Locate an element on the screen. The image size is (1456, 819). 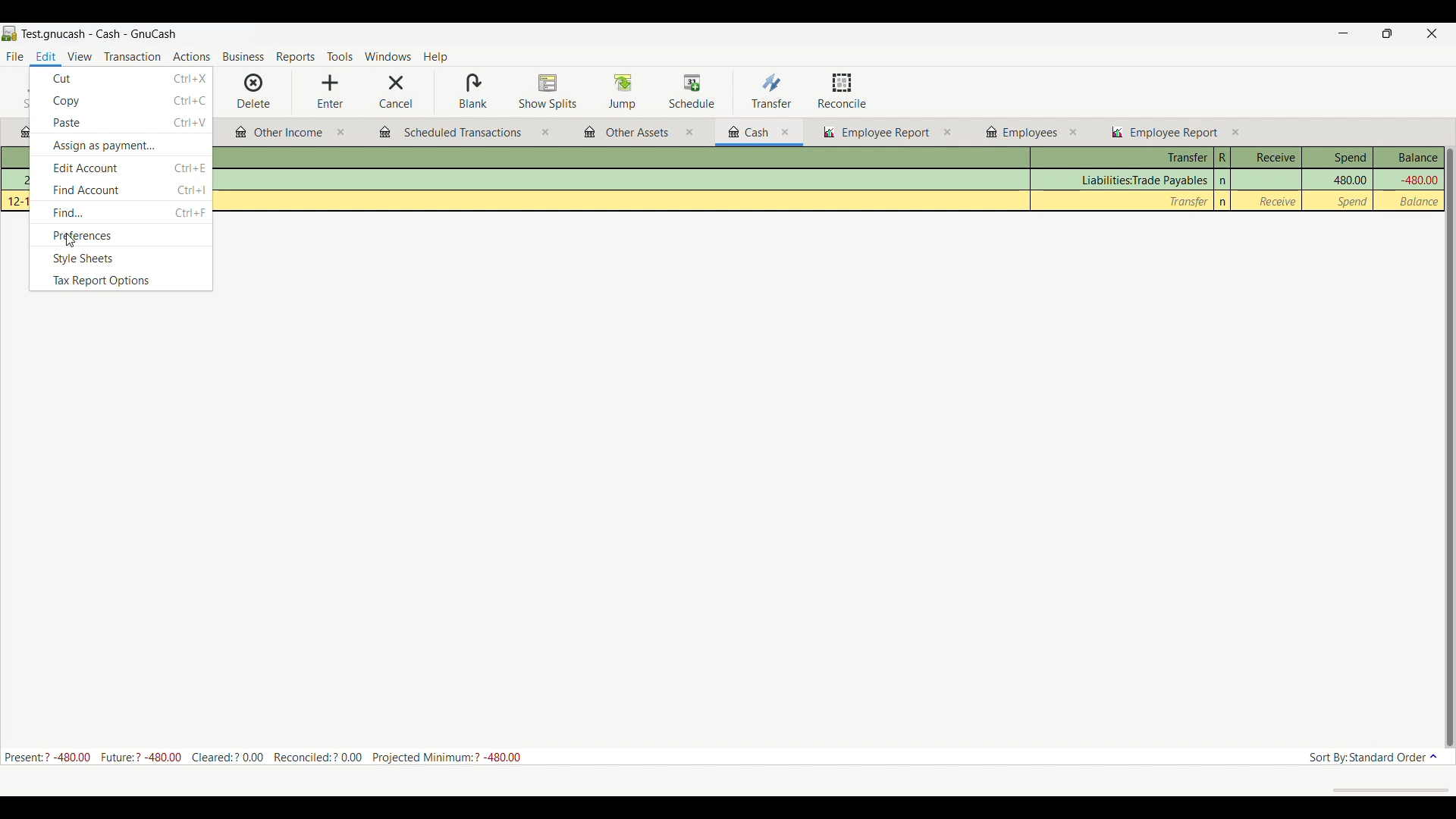
Other budgets and reports is located at coordinates (1021, 132).